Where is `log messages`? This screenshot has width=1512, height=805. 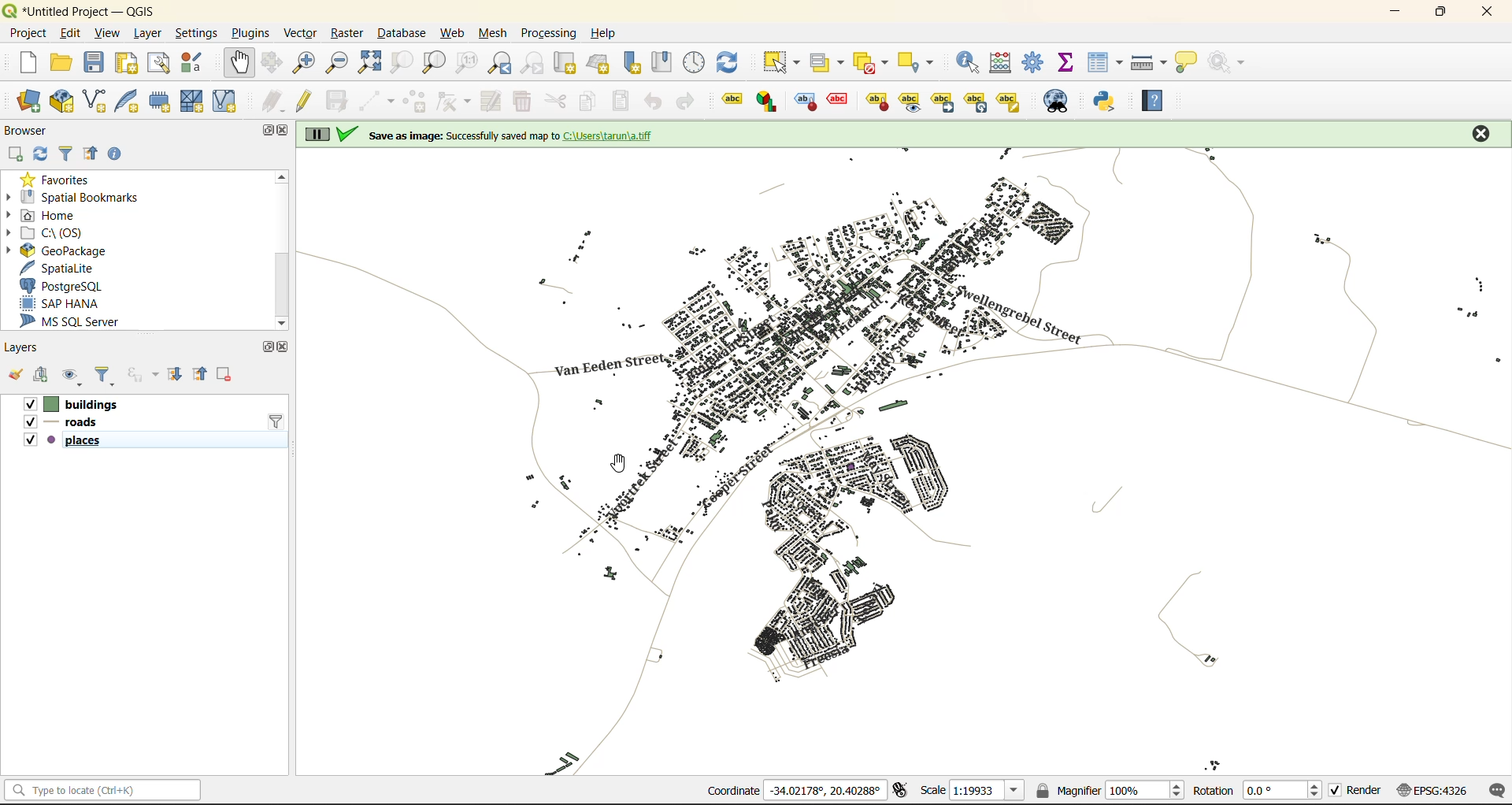 log messages is located at coordinates (1494, 788).